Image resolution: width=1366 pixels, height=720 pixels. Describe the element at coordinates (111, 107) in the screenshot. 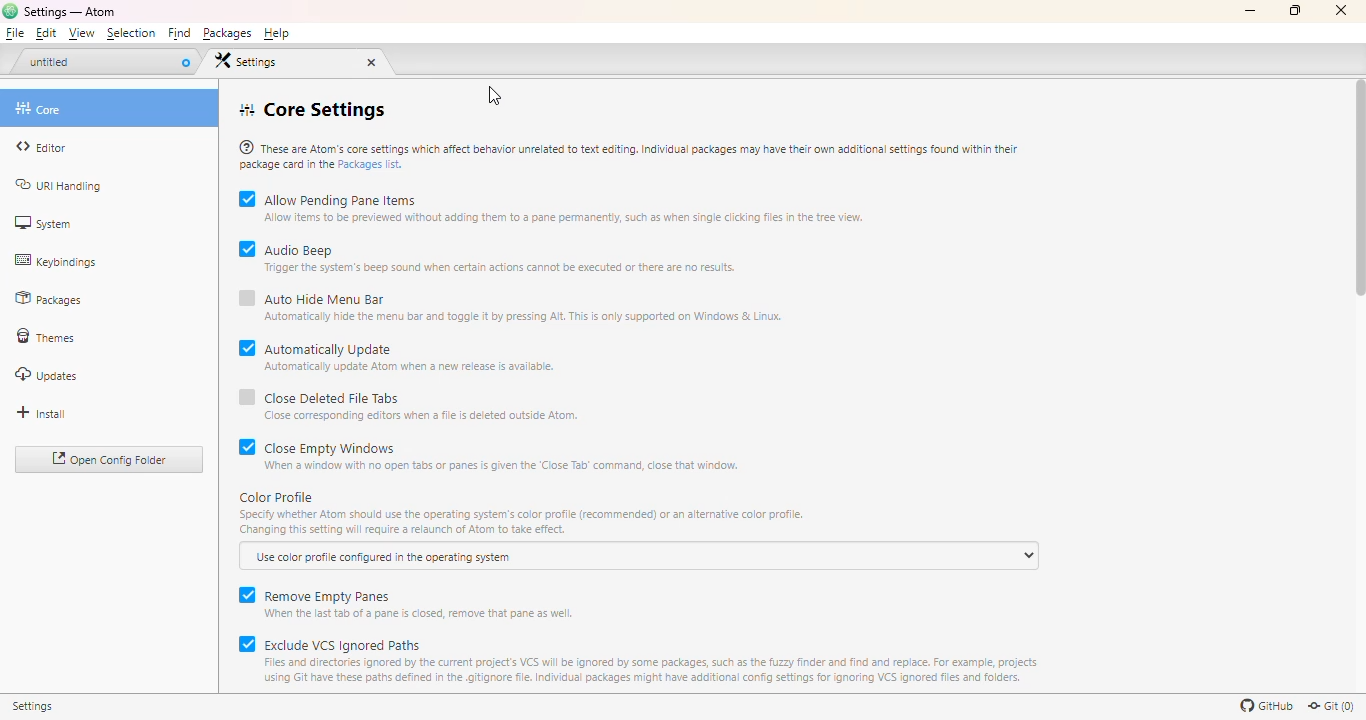

I see `core` at that location.